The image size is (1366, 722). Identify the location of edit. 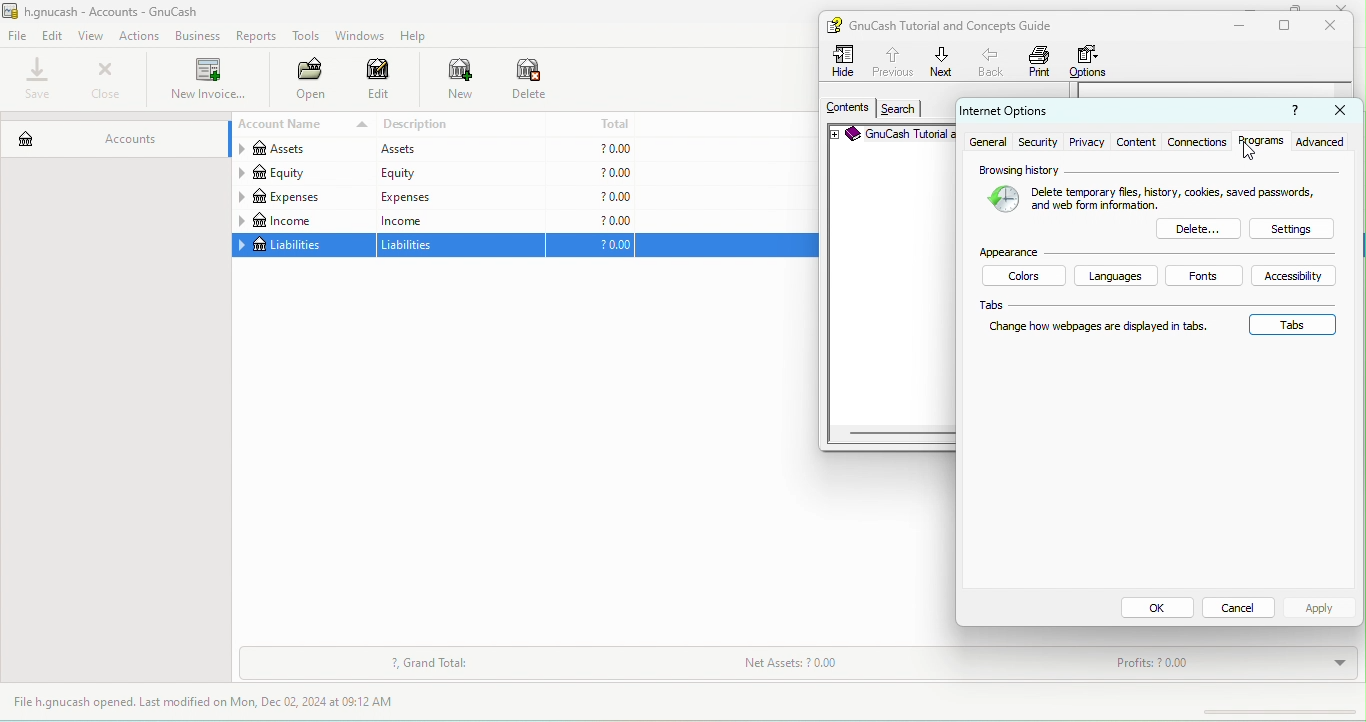
(379, 82).